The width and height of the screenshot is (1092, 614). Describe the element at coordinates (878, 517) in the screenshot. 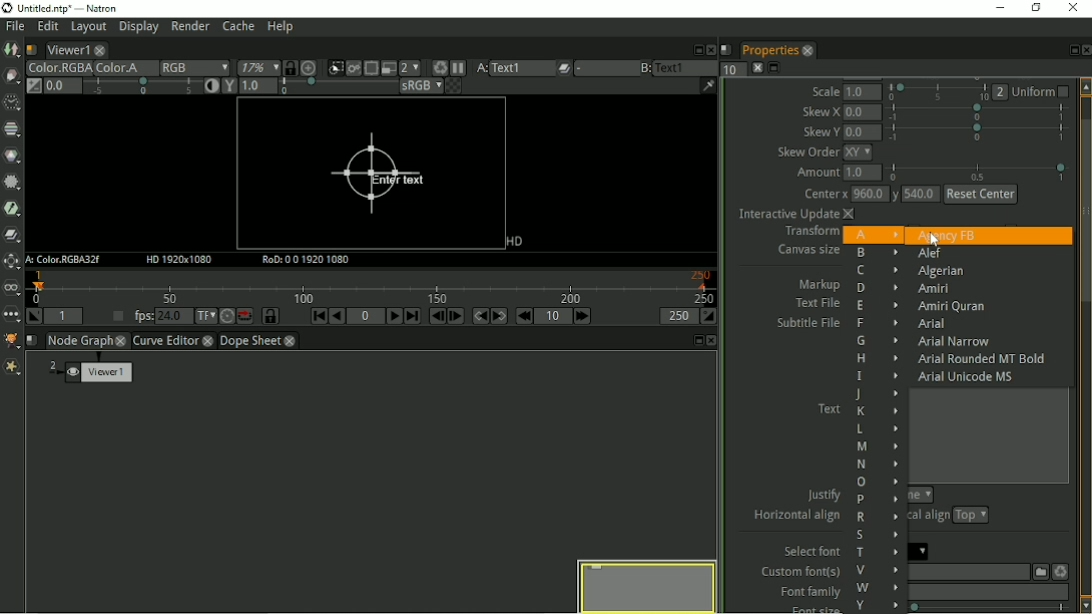

I see `R` at that location.